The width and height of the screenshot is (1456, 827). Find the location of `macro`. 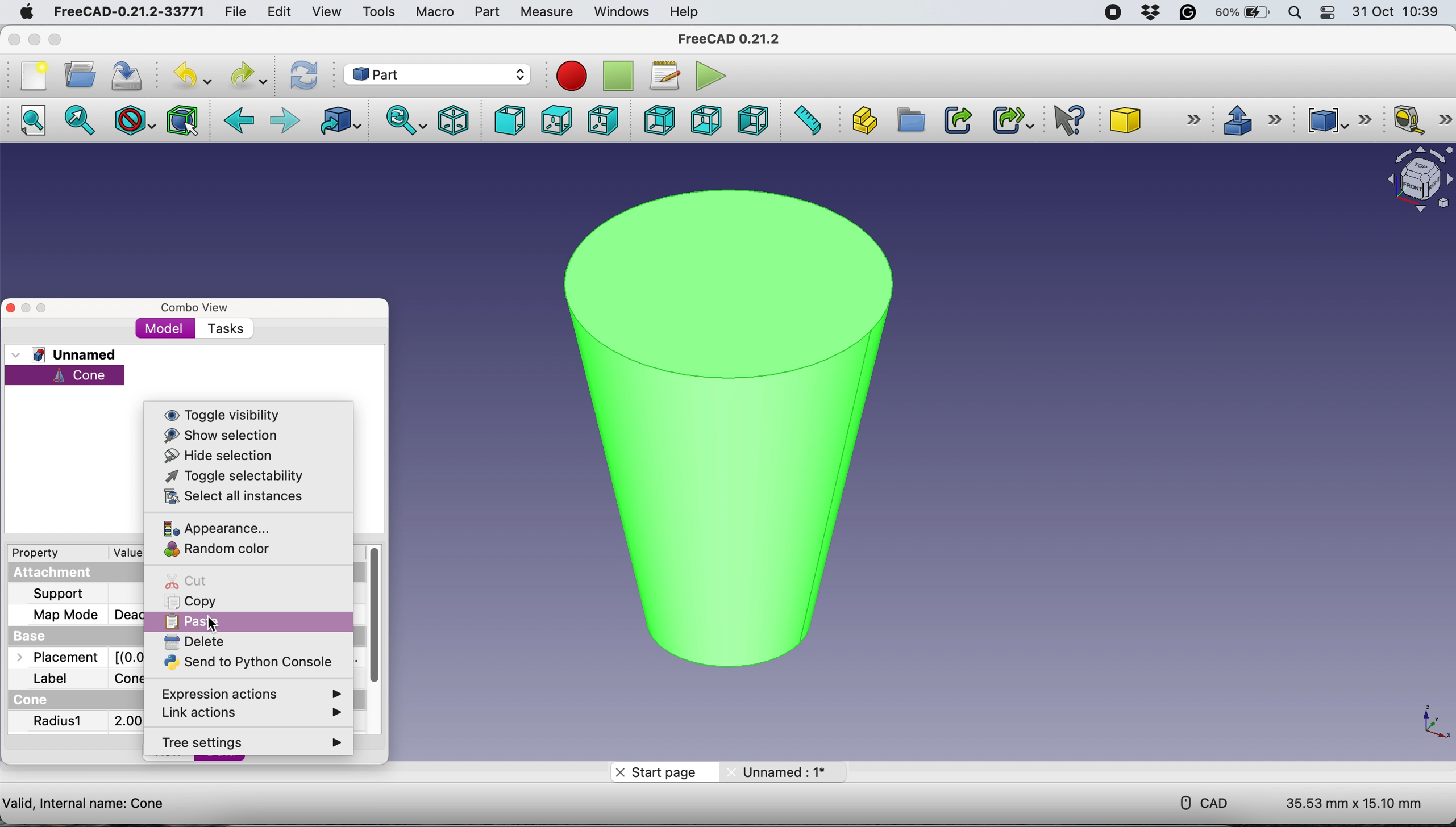

macro is located at coordinates (434, 11).